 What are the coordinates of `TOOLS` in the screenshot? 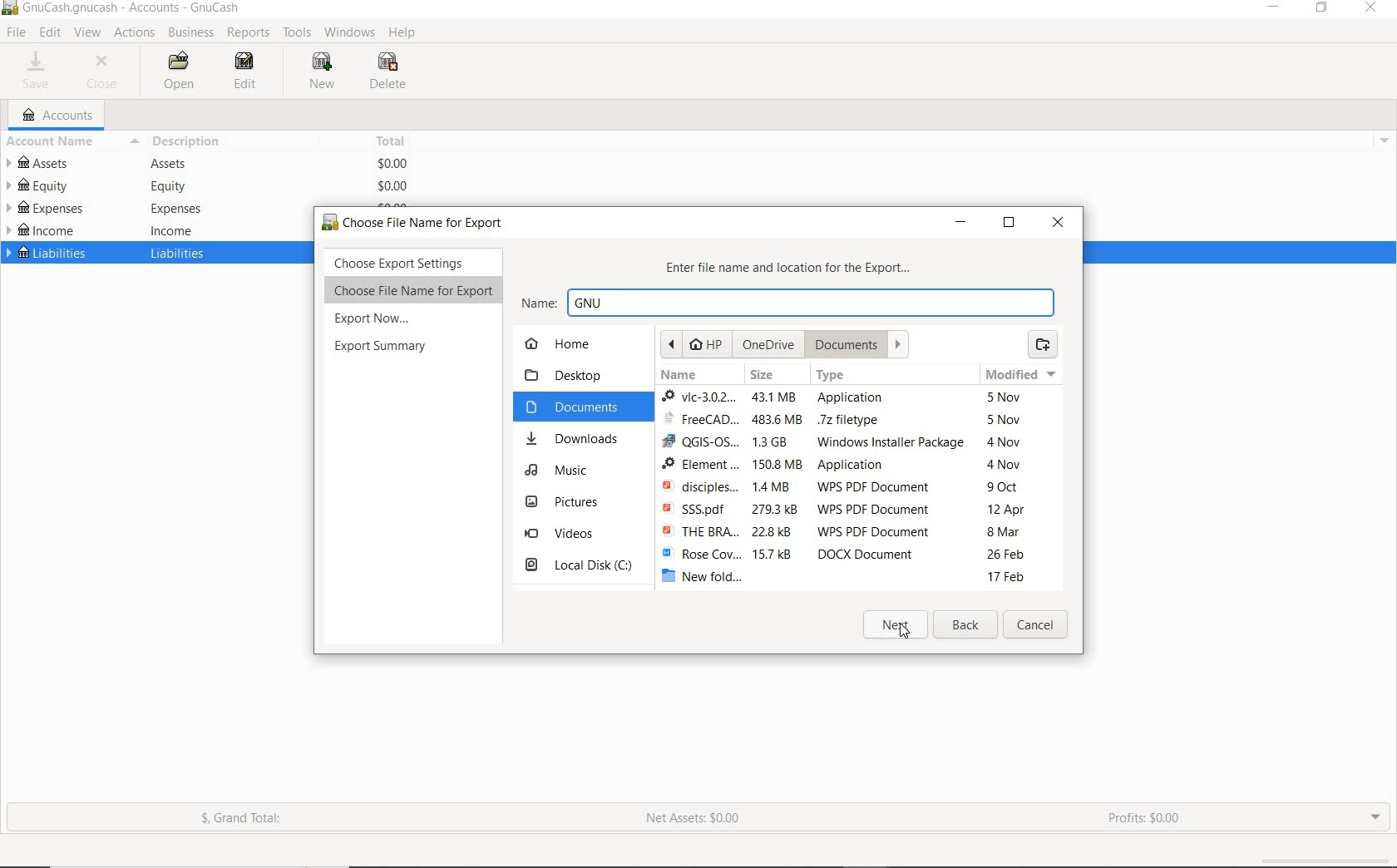 It's located at (298, 33).